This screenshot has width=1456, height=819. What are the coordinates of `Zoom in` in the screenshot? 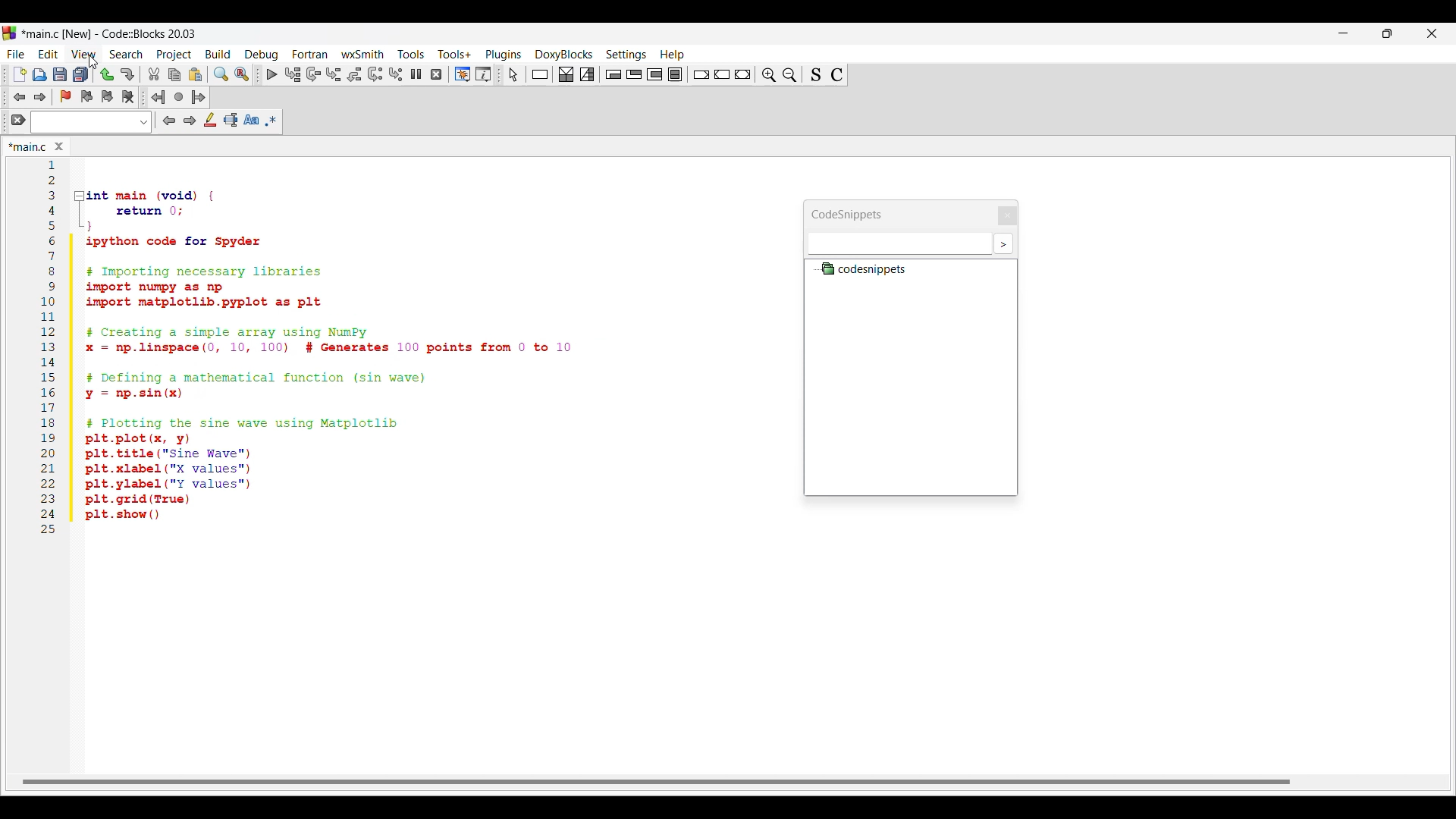 It's located at (789, 74).